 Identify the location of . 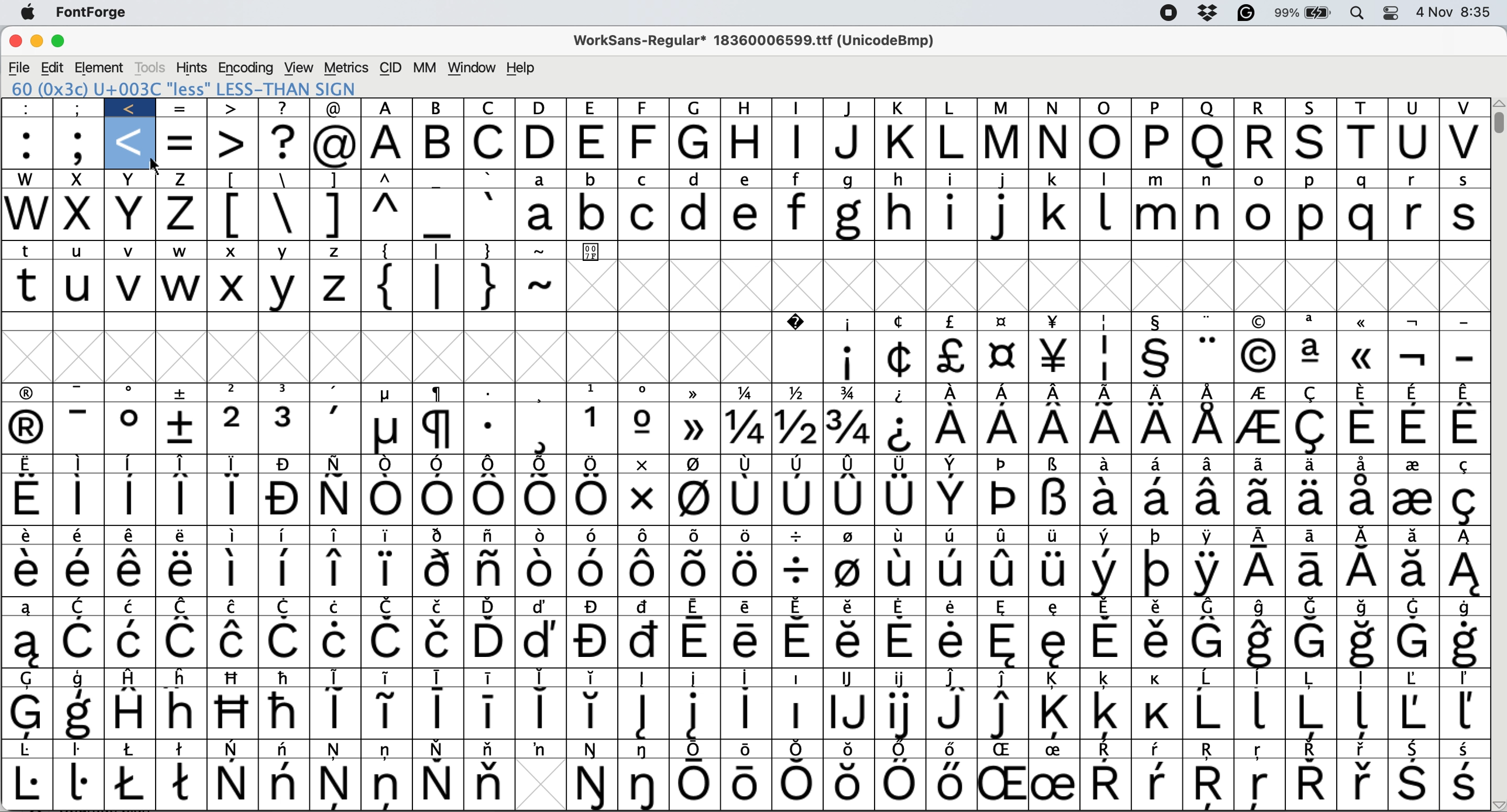
(850, 463).